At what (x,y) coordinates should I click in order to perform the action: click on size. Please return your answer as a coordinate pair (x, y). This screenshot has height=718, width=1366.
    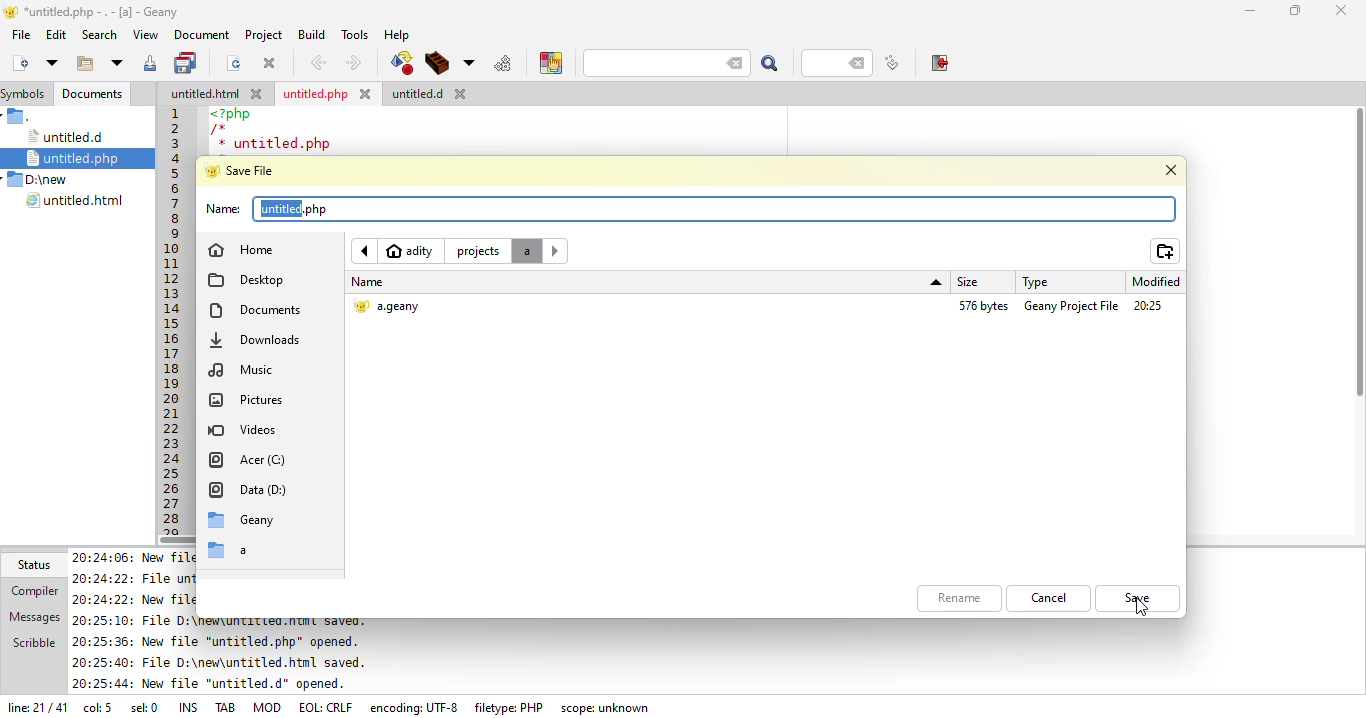
    Looking at the image, I should click on (973, 282).